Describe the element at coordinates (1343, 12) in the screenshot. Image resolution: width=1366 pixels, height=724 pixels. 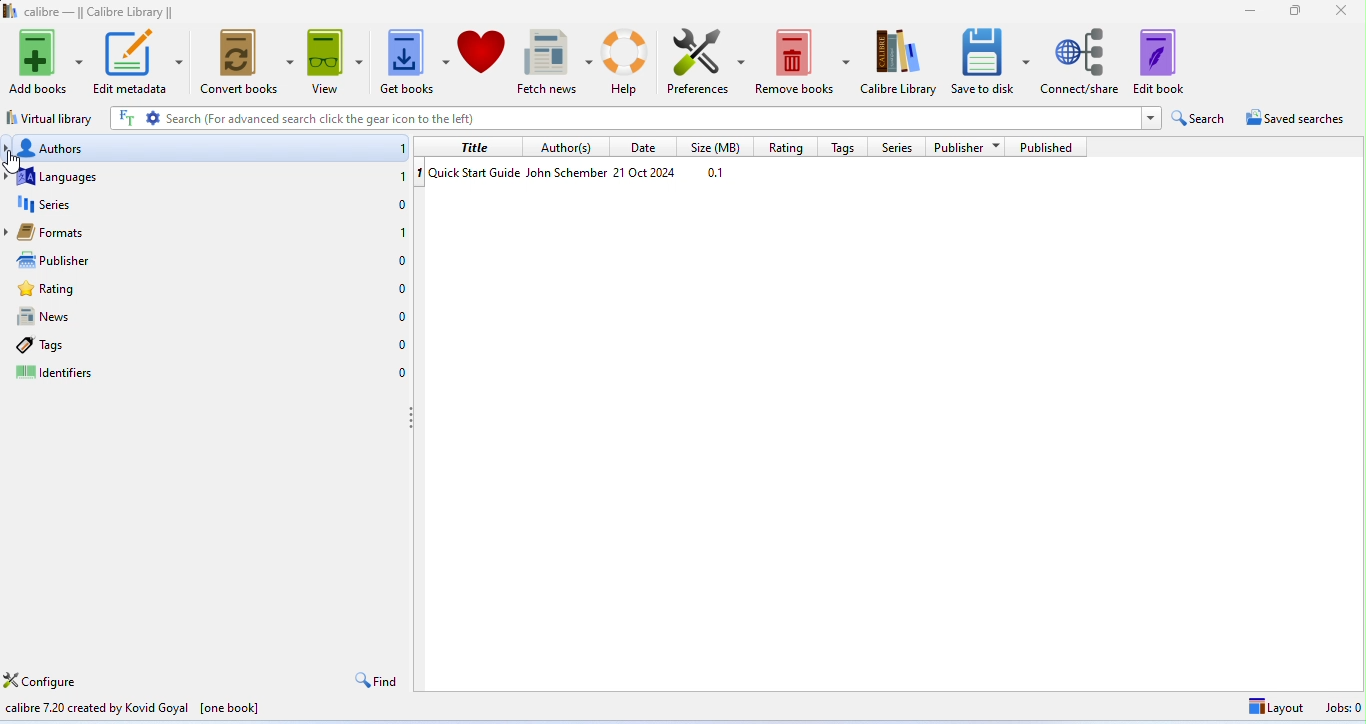
I see `close` at that location.